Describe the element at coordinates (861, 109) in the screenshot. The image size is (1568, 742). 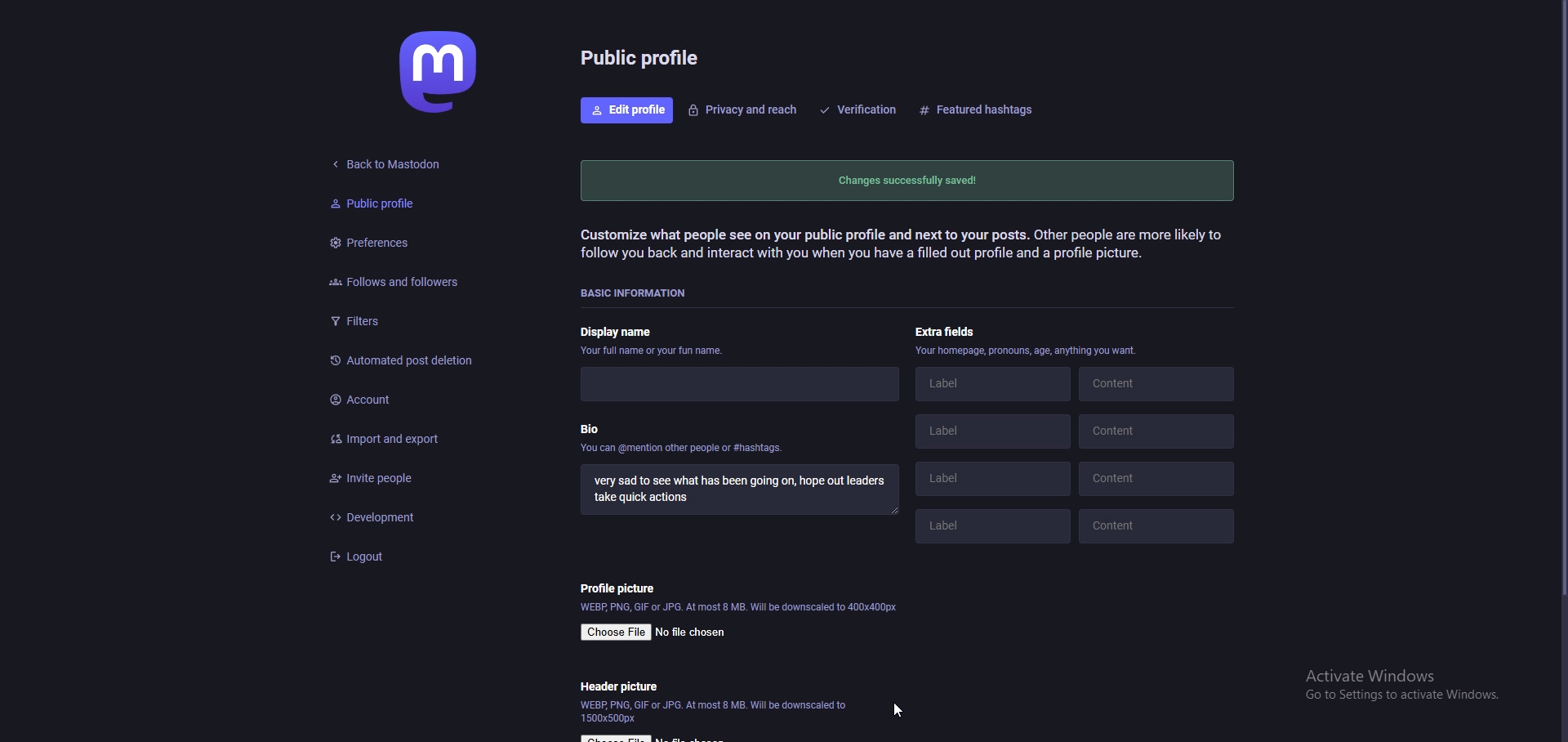
I see `verification` at that location.